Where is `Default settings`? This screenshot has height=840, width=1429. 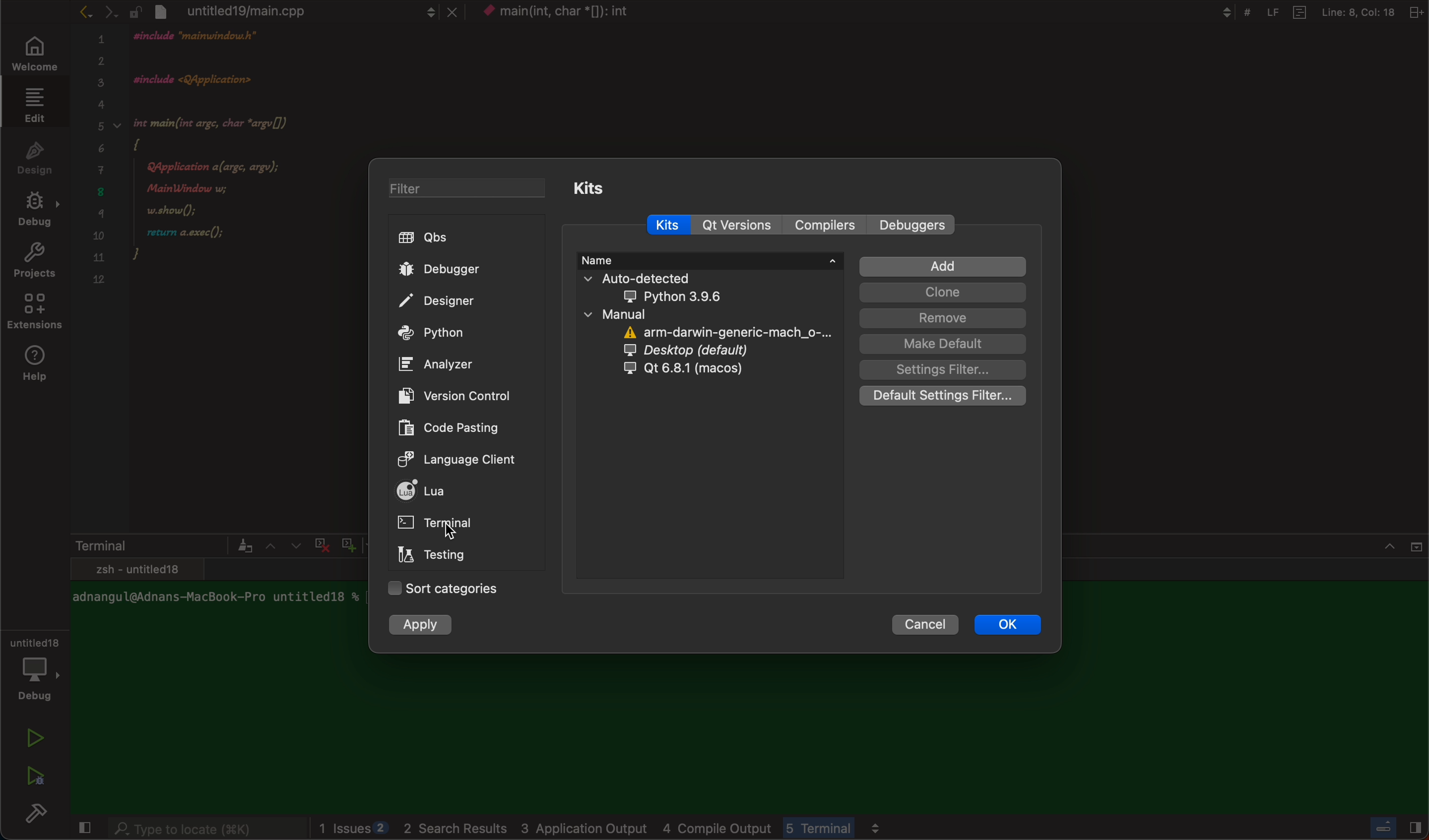
Default settings is located at coordinates (945, 396).